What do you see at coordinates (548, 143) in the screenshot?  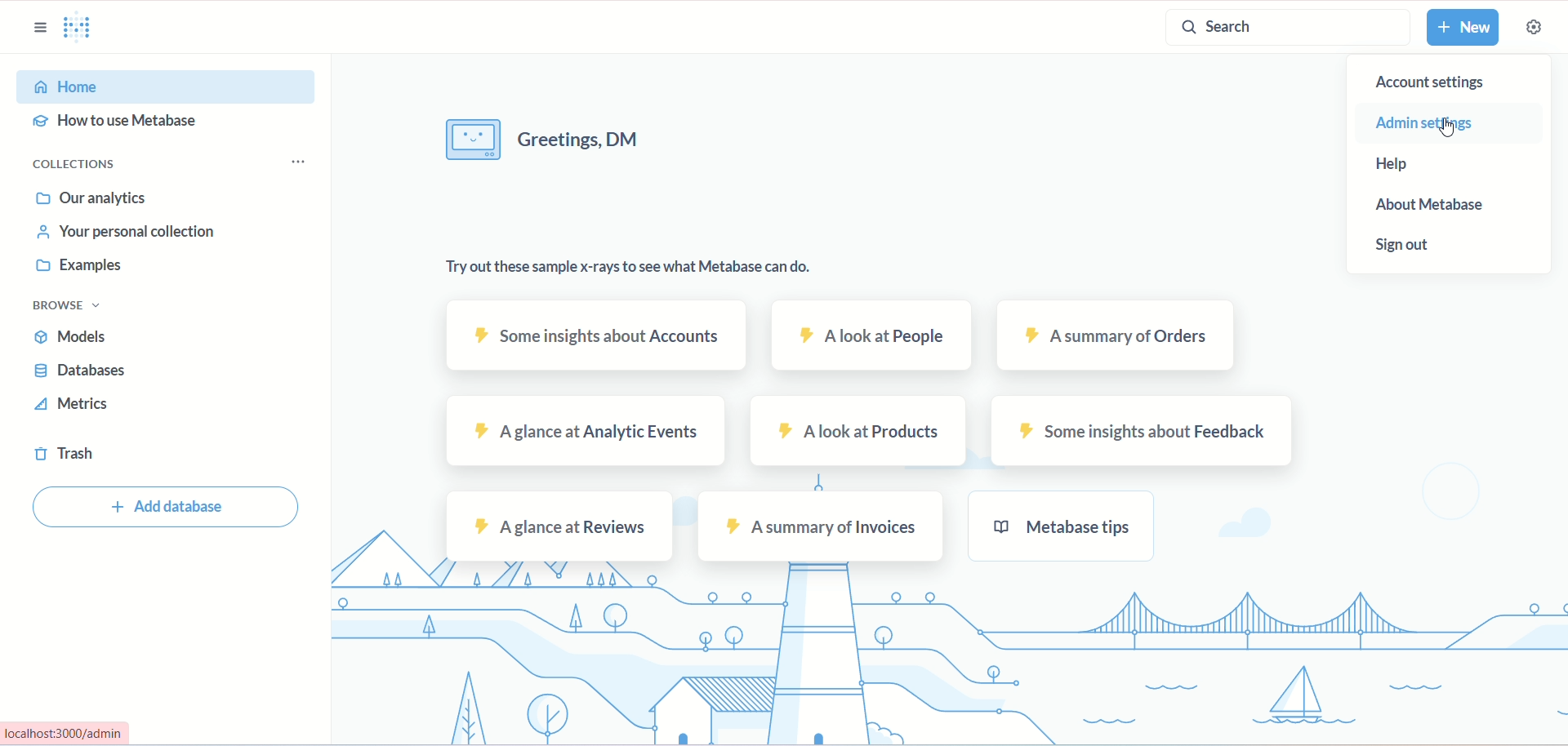 I see `text` at bounding box center [548, 143].